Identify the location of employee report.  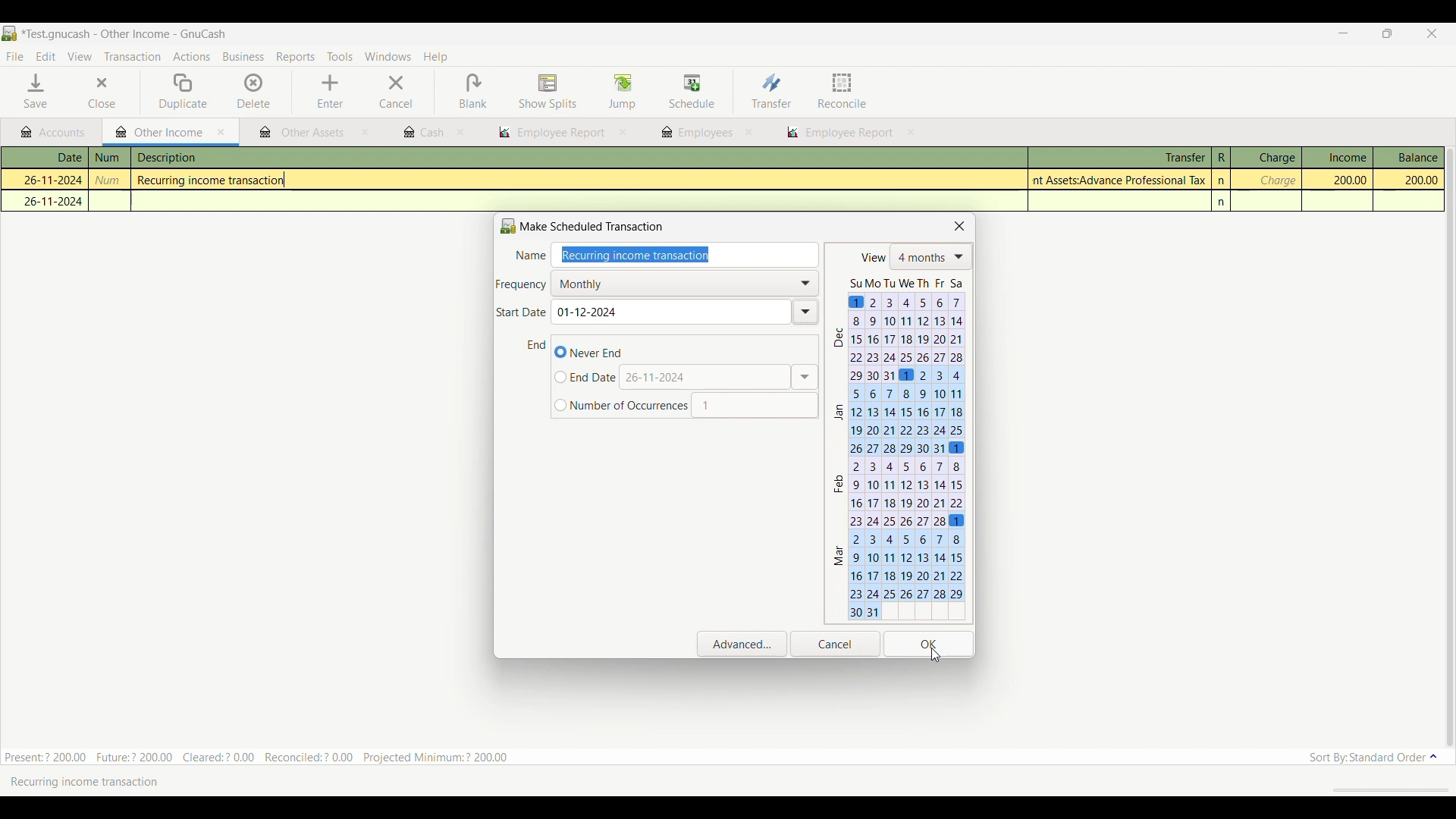
(551, 133).